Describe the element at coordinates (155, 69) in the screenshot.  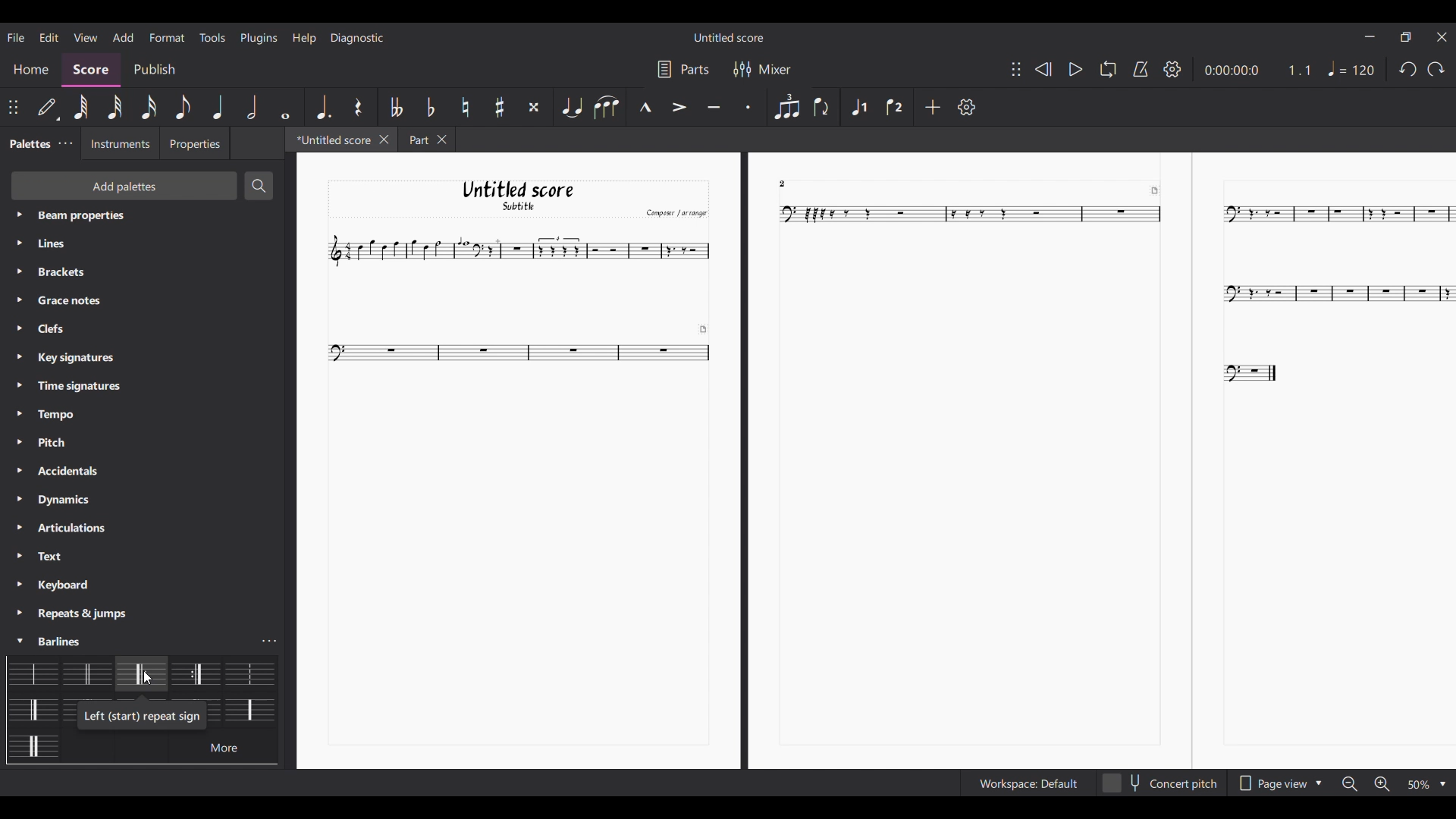
I see `Publish section` at that location.